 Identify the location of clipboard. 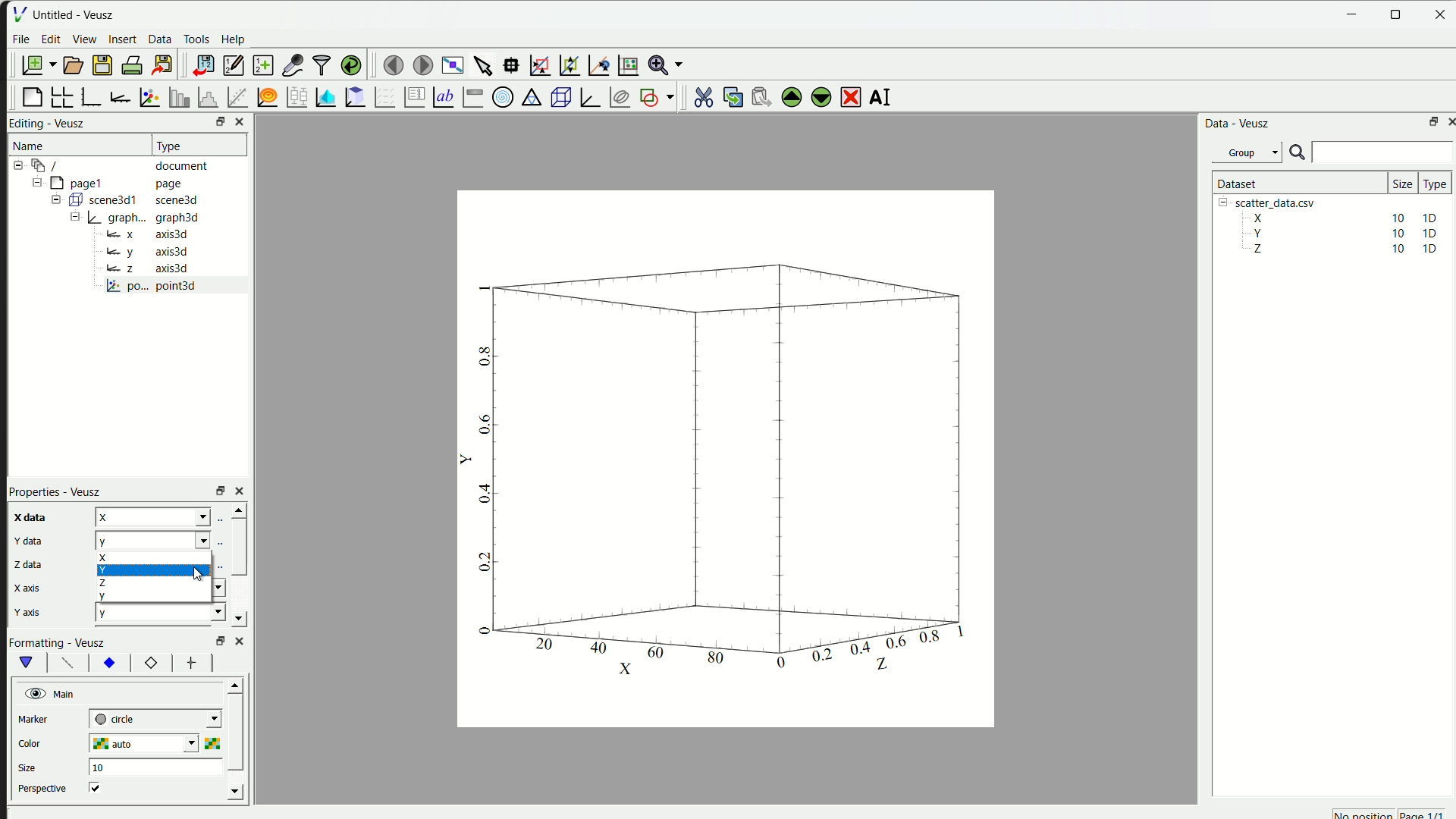
(353, 97).